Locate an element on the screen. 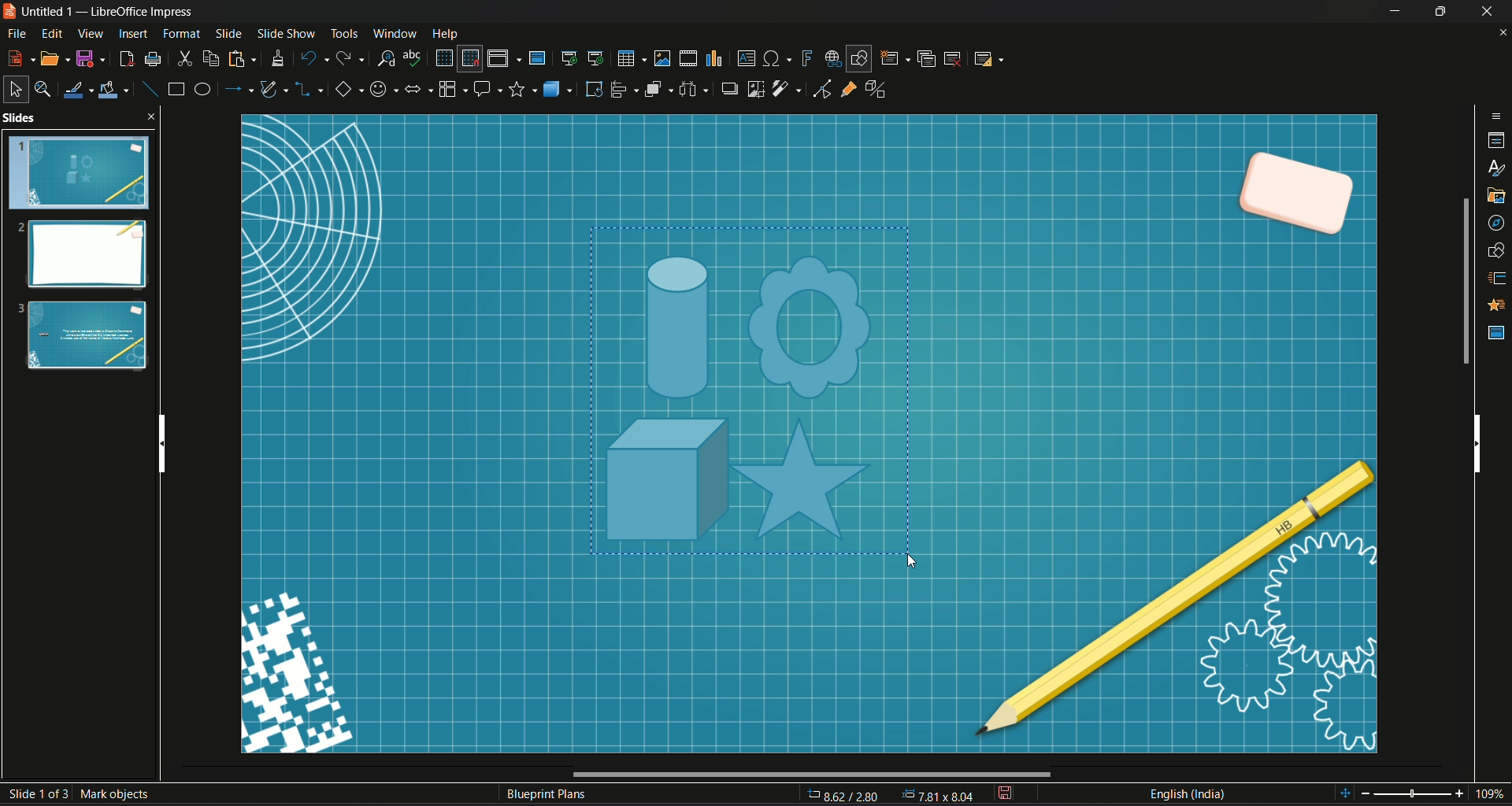 The width and height of the screenshot is (1512, 806). Minimize/Maximize is located at coordinates (1439, 11).